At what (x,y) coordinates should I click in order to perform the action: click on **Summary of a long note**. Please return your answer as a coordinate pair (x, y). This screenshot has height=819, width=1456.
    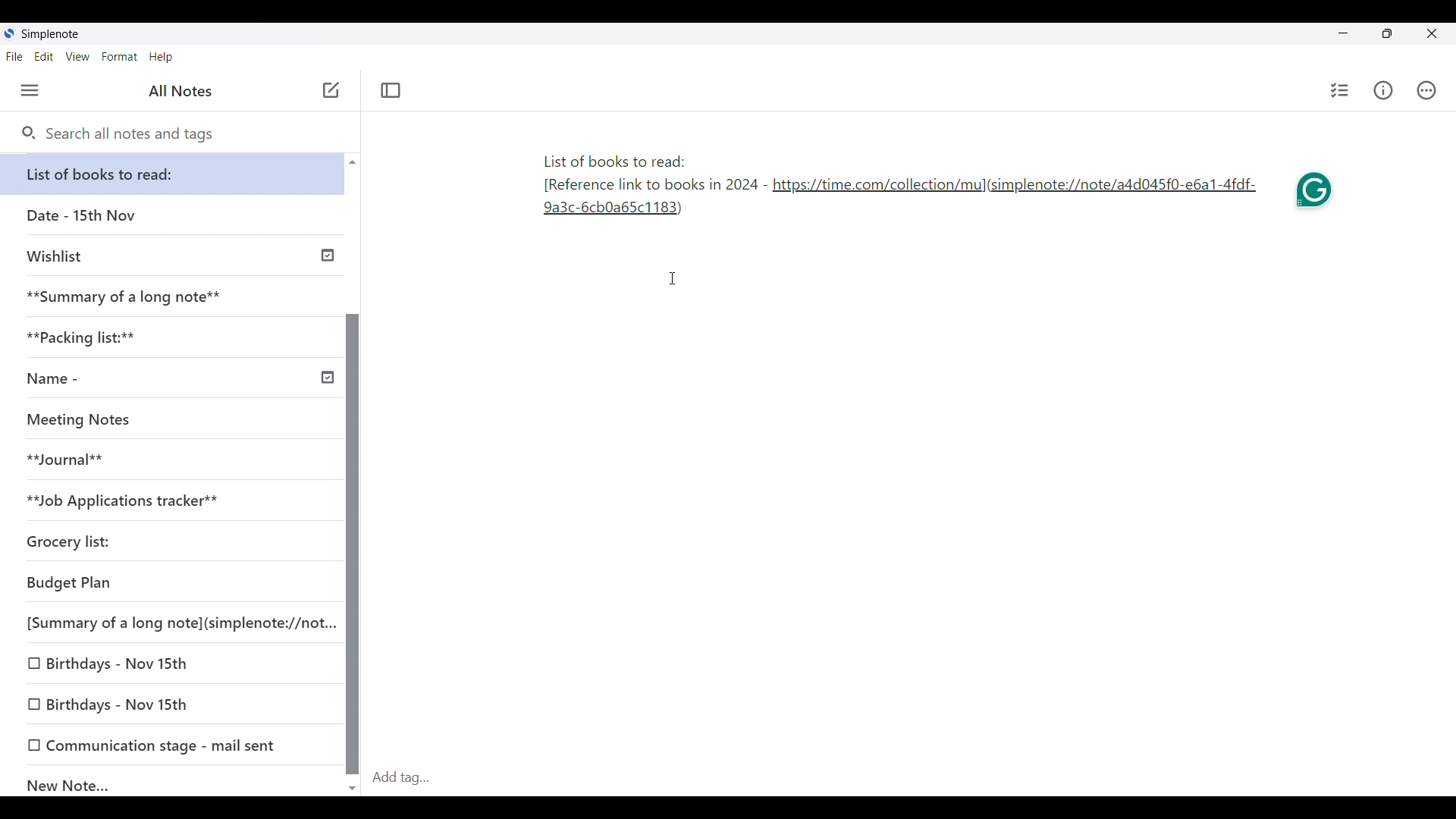
    Looking at the image, I should click on (172, 297).